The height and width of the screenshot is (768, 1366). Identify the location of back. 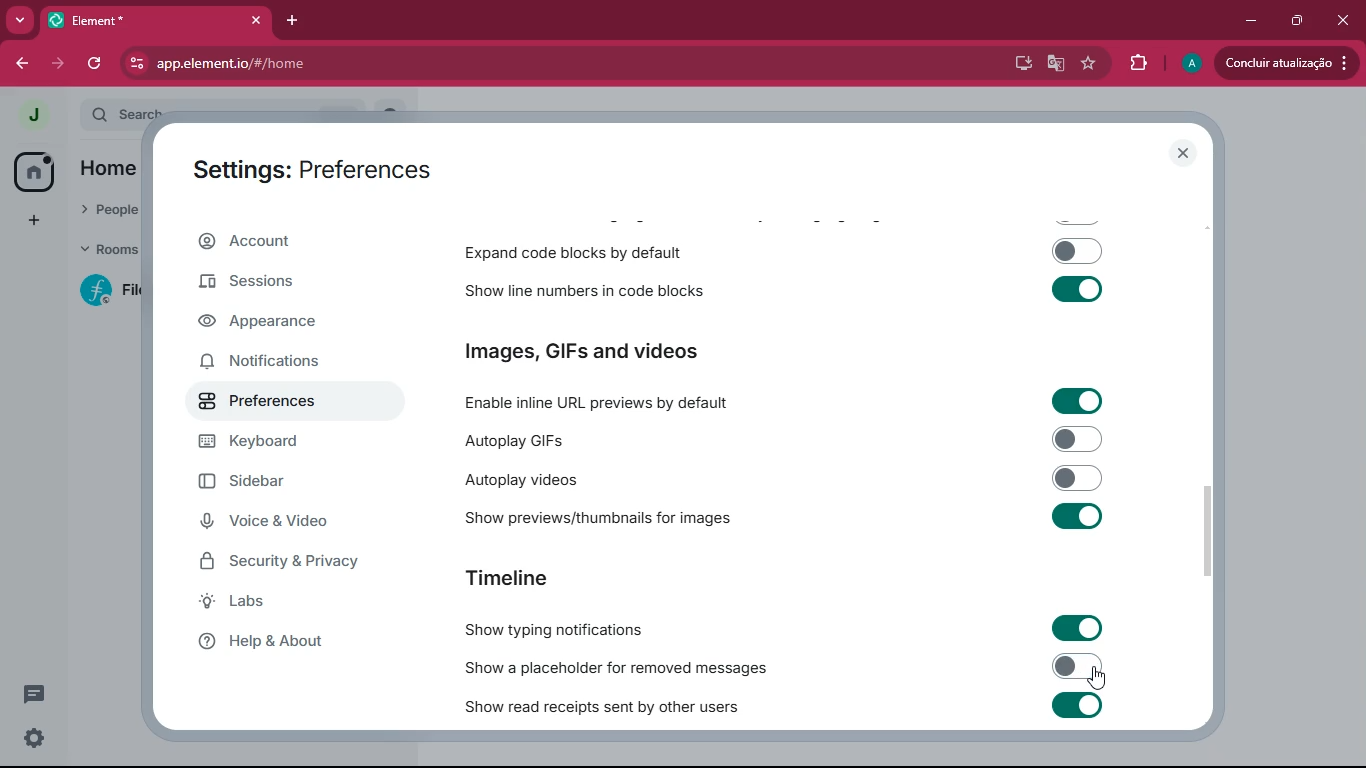
(19, 66).